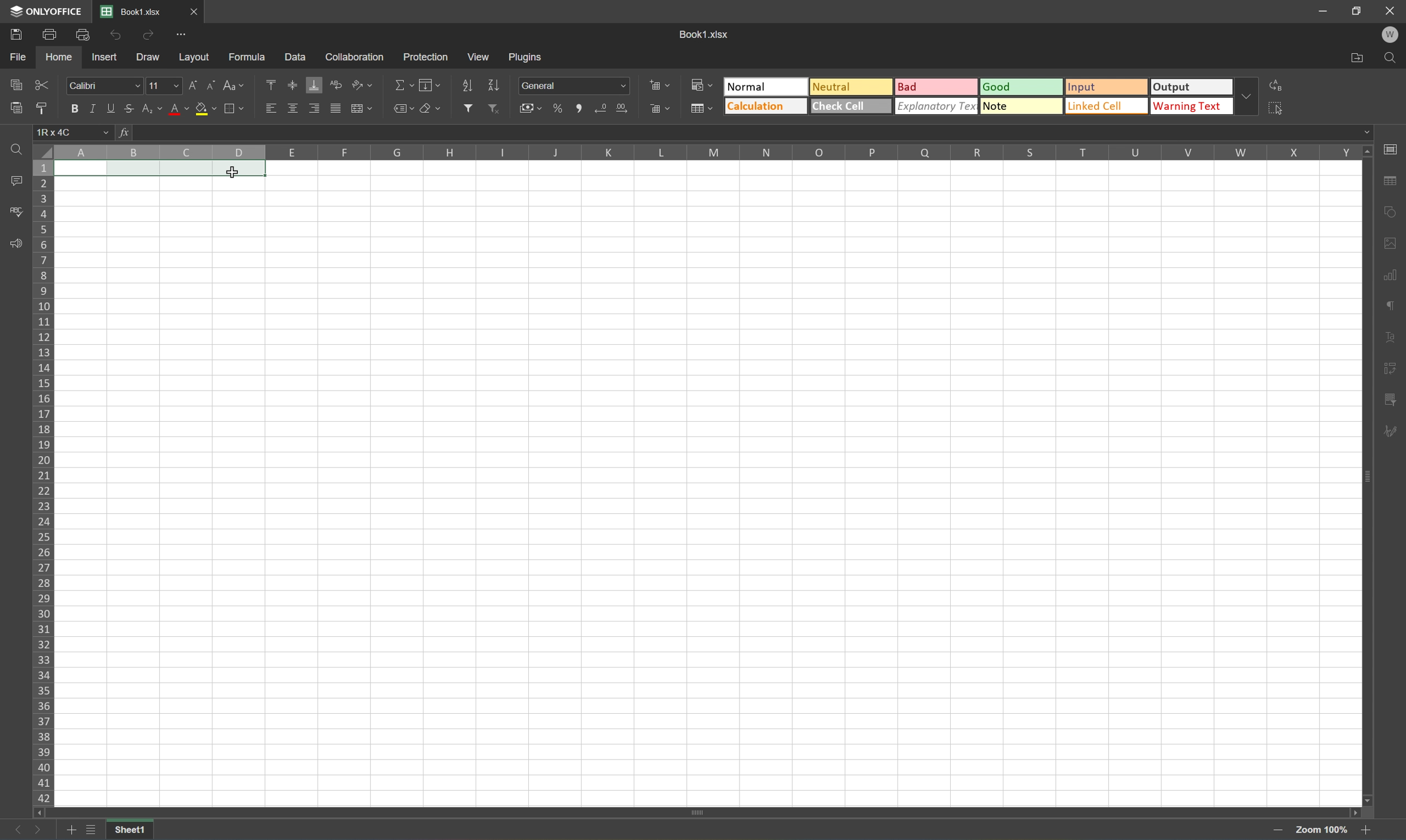 The height and width of the screenshot is (840, 1406). Describe the element at coordinates (132, 109) in the screenshot. I see `Strikethrough` at that location.